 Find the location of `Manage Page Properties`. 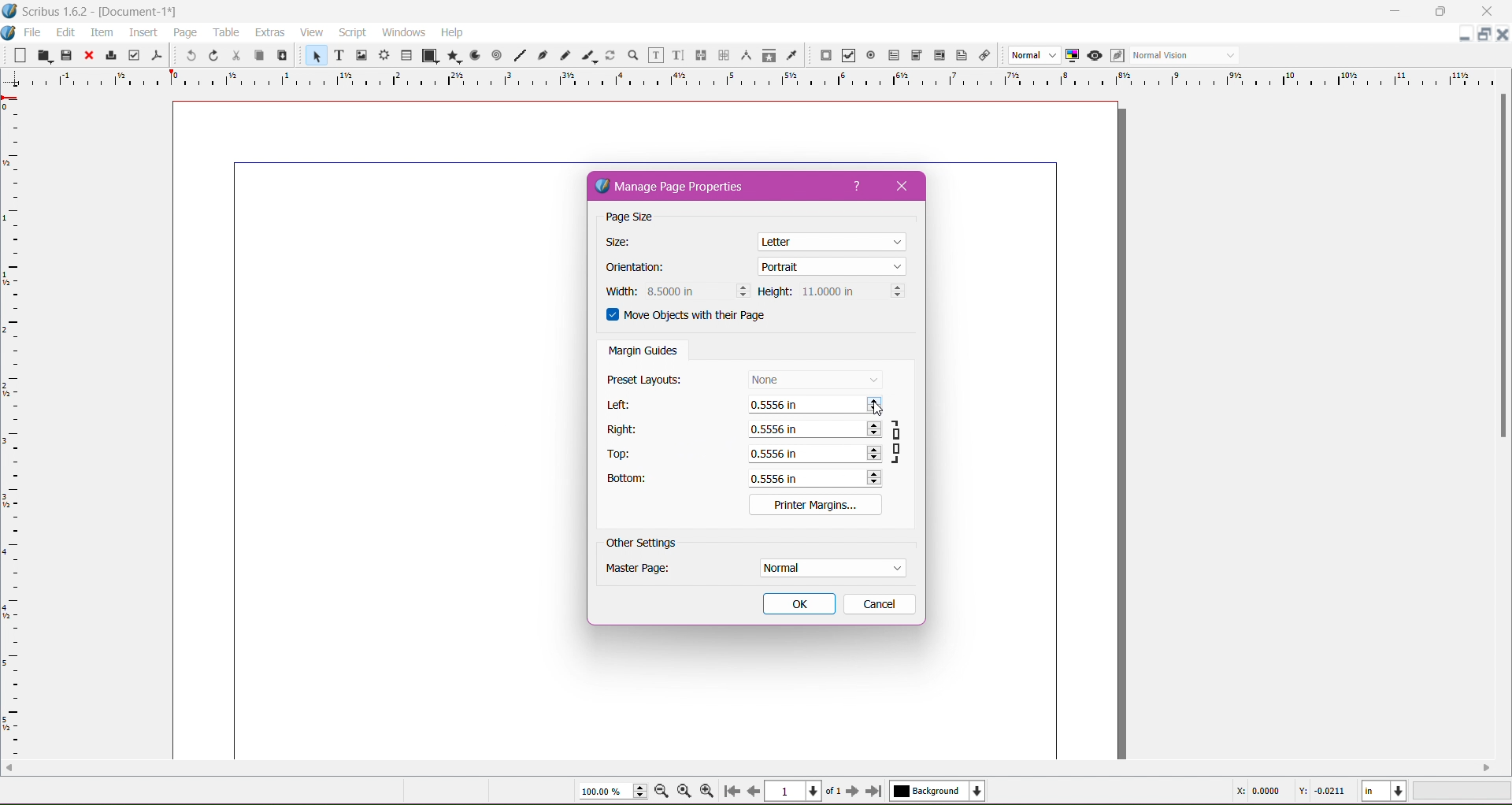

Manage Page Properties is located at coordinates (682, 187).